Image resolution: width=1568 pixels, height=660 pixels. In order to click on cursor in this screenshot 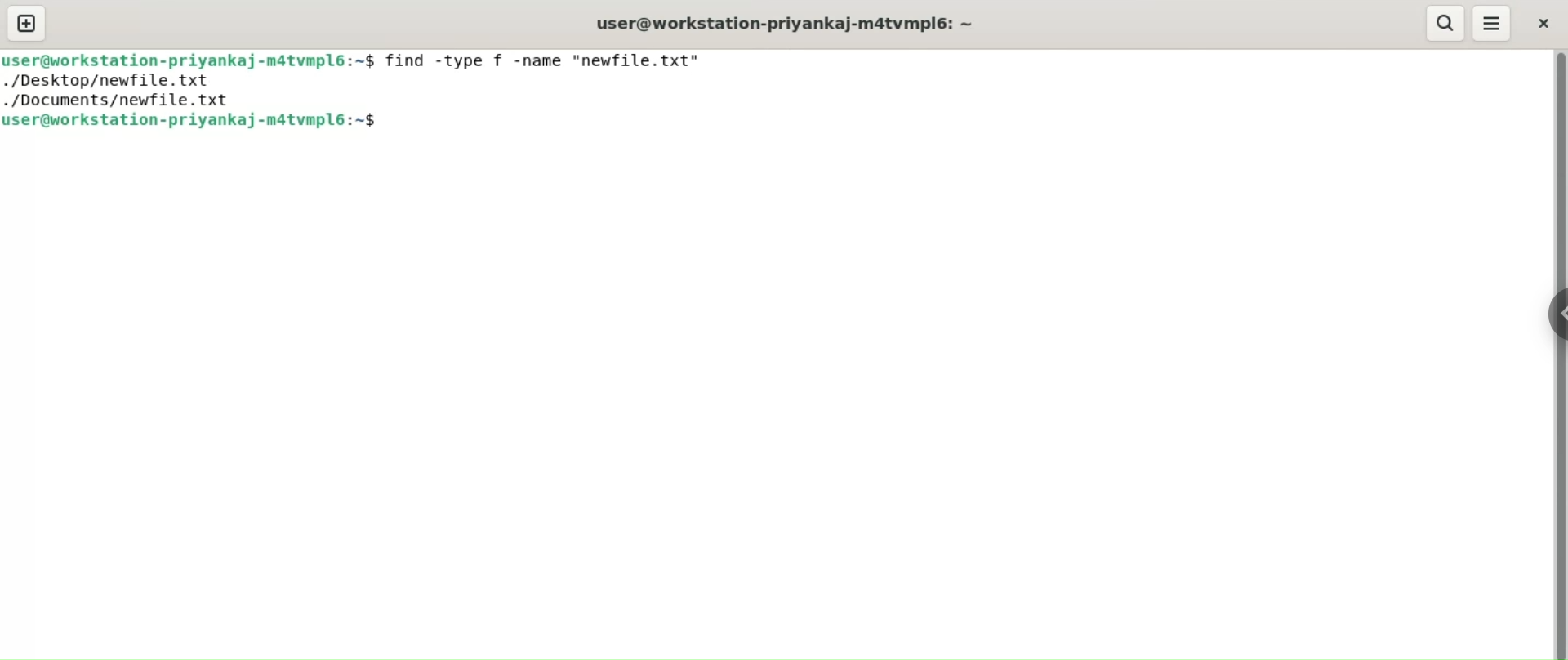, I will do `click(395, 126)`.